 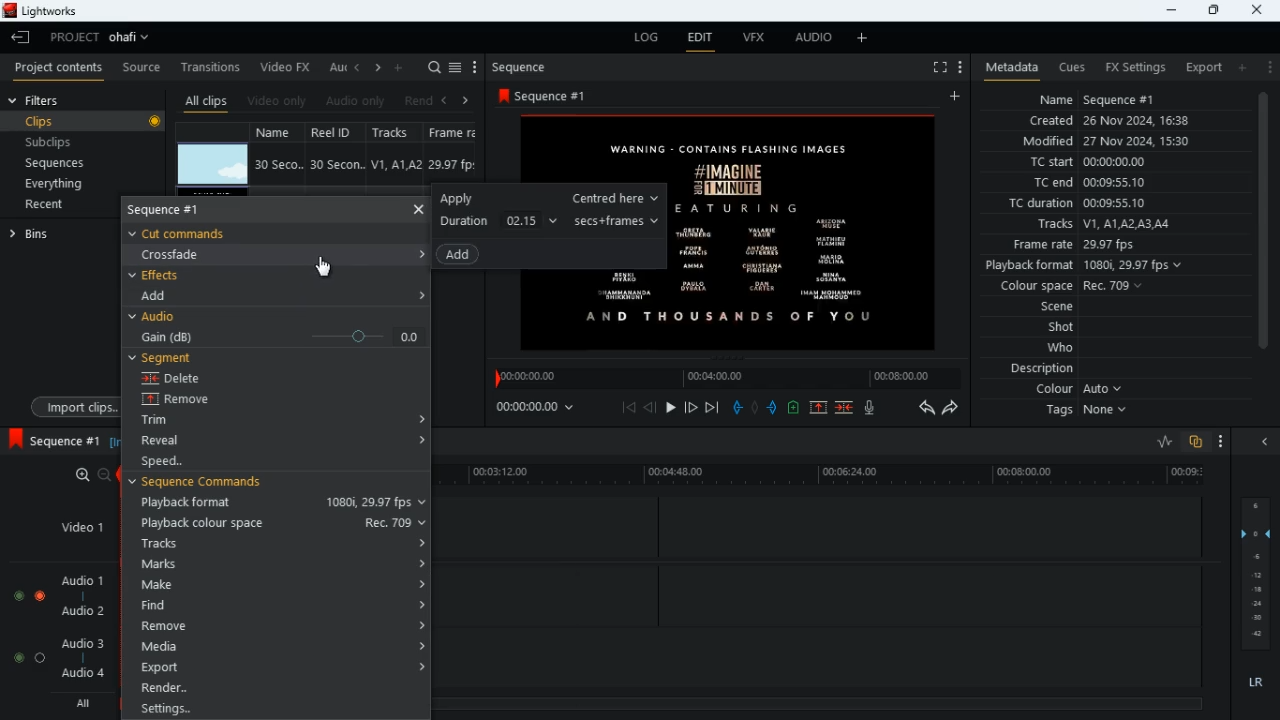 What do you see at coordinates (173, 422) in the screenshot?
I see `trim` at bounding box center [173, 422].